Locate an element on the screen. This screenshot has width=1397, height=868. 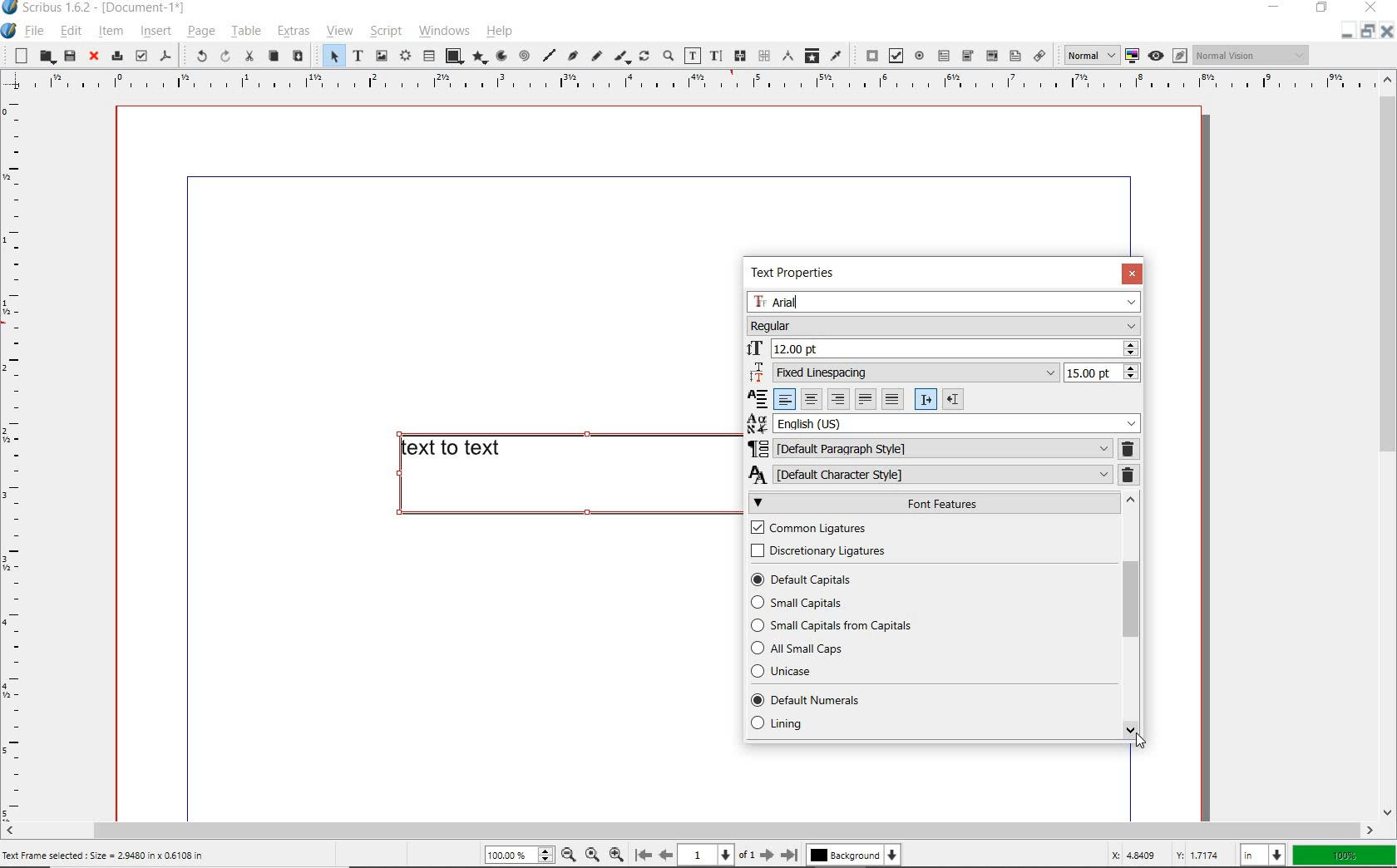
pdf check box is located at coordinates (895, 56).